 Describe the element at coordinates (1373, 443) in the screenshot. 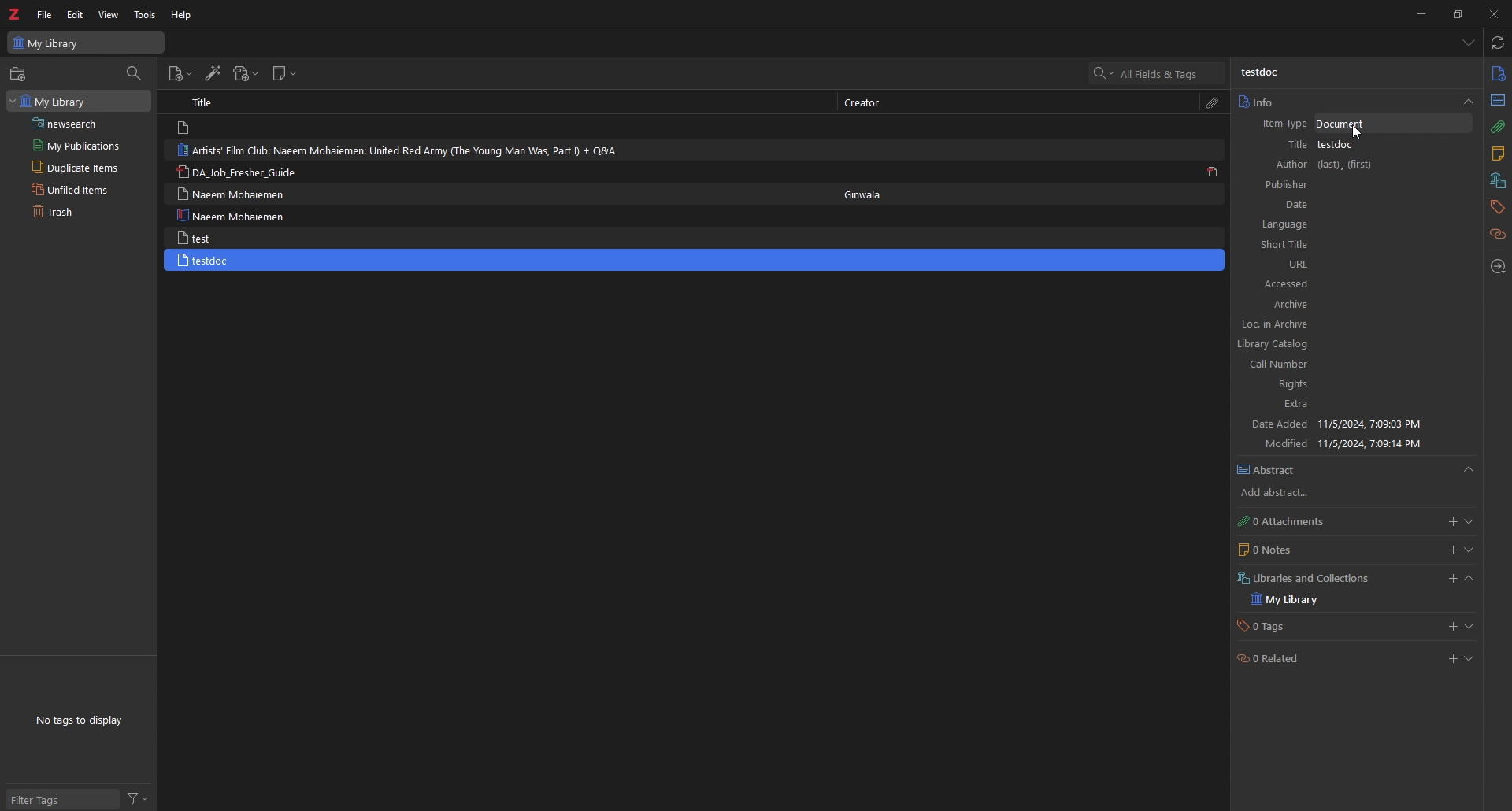

I see `11/5/2024, 7:09:14 PM` at that location.